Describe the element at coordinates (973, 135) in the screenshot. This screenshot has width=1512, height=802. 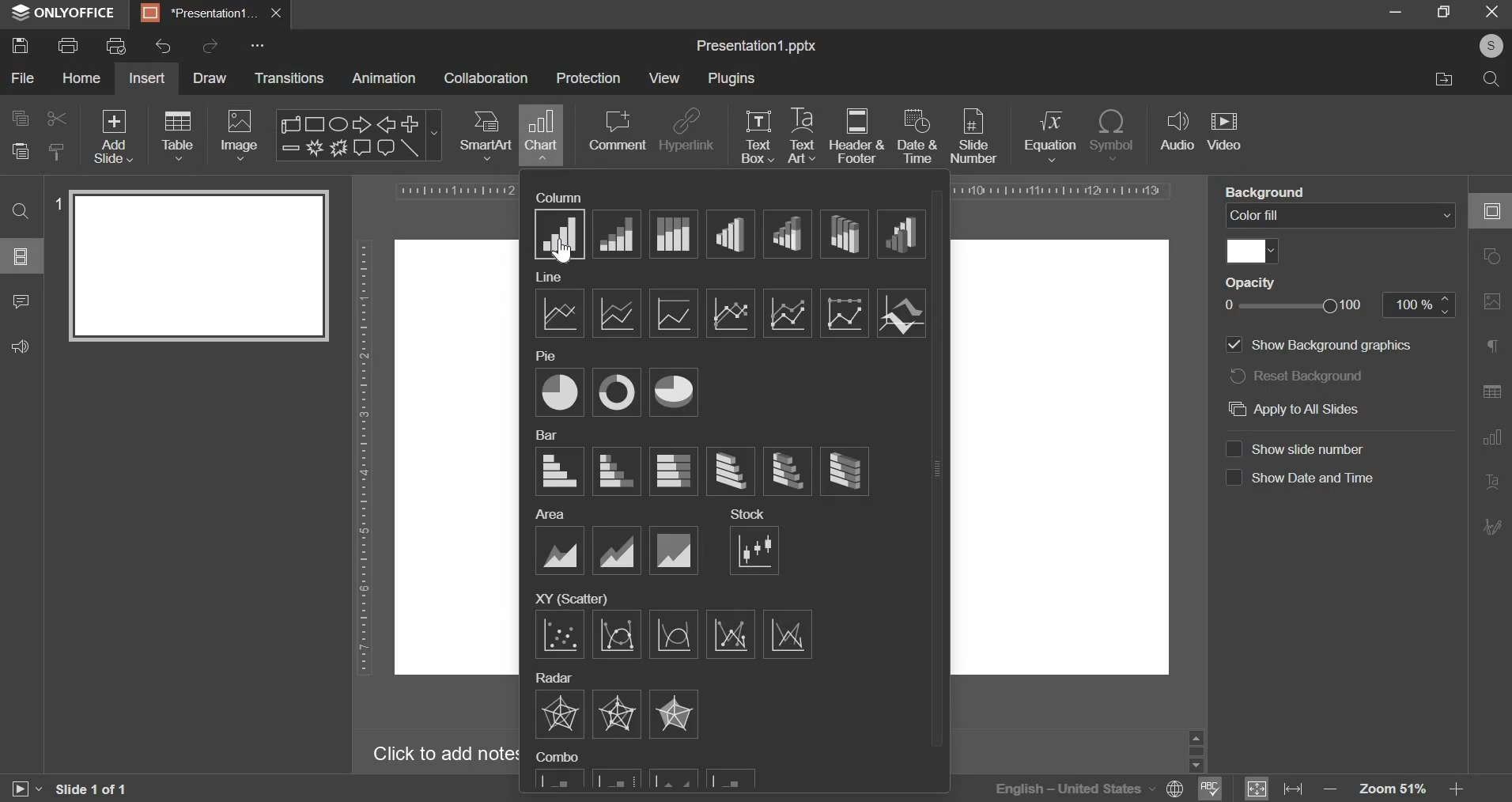
I see `slide number` at that location.